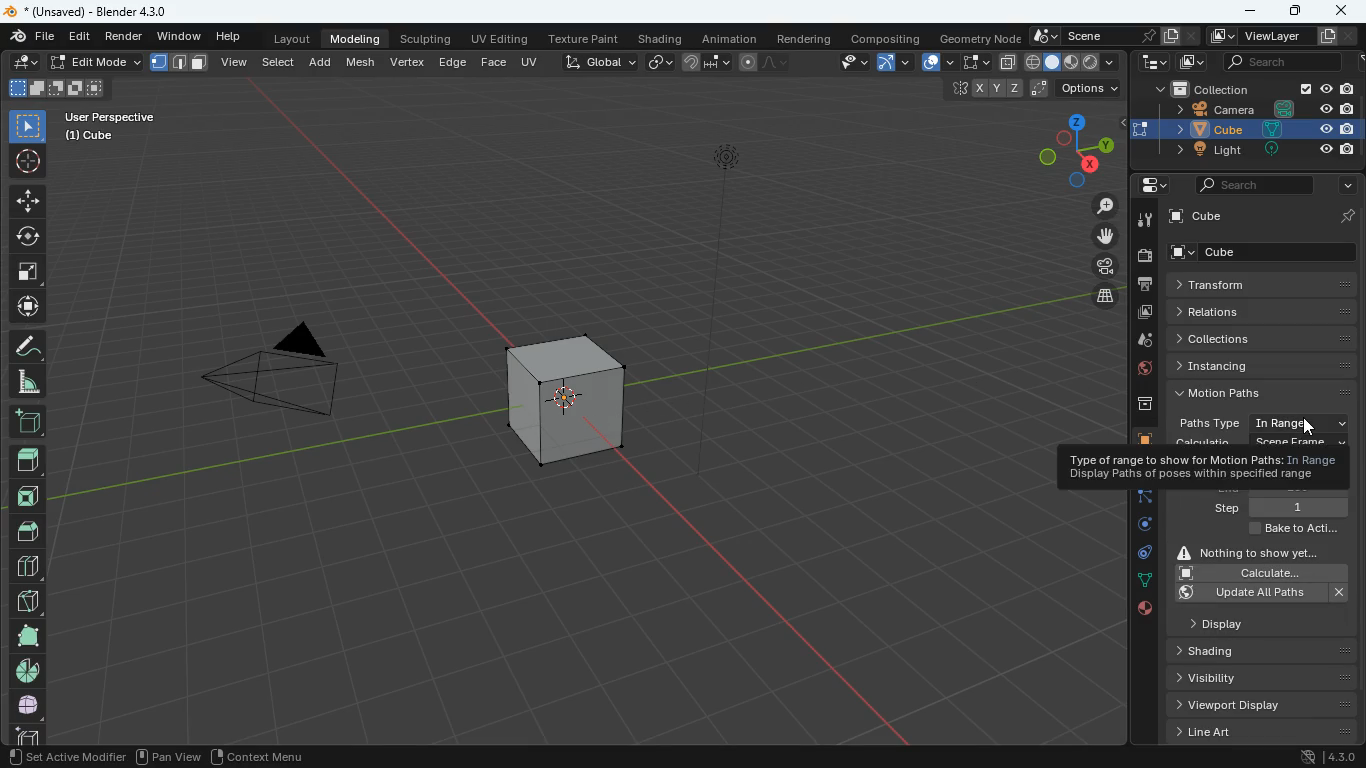 This screenshot has width=1366, height=768. I want to click on warning, so click(1258, 551).